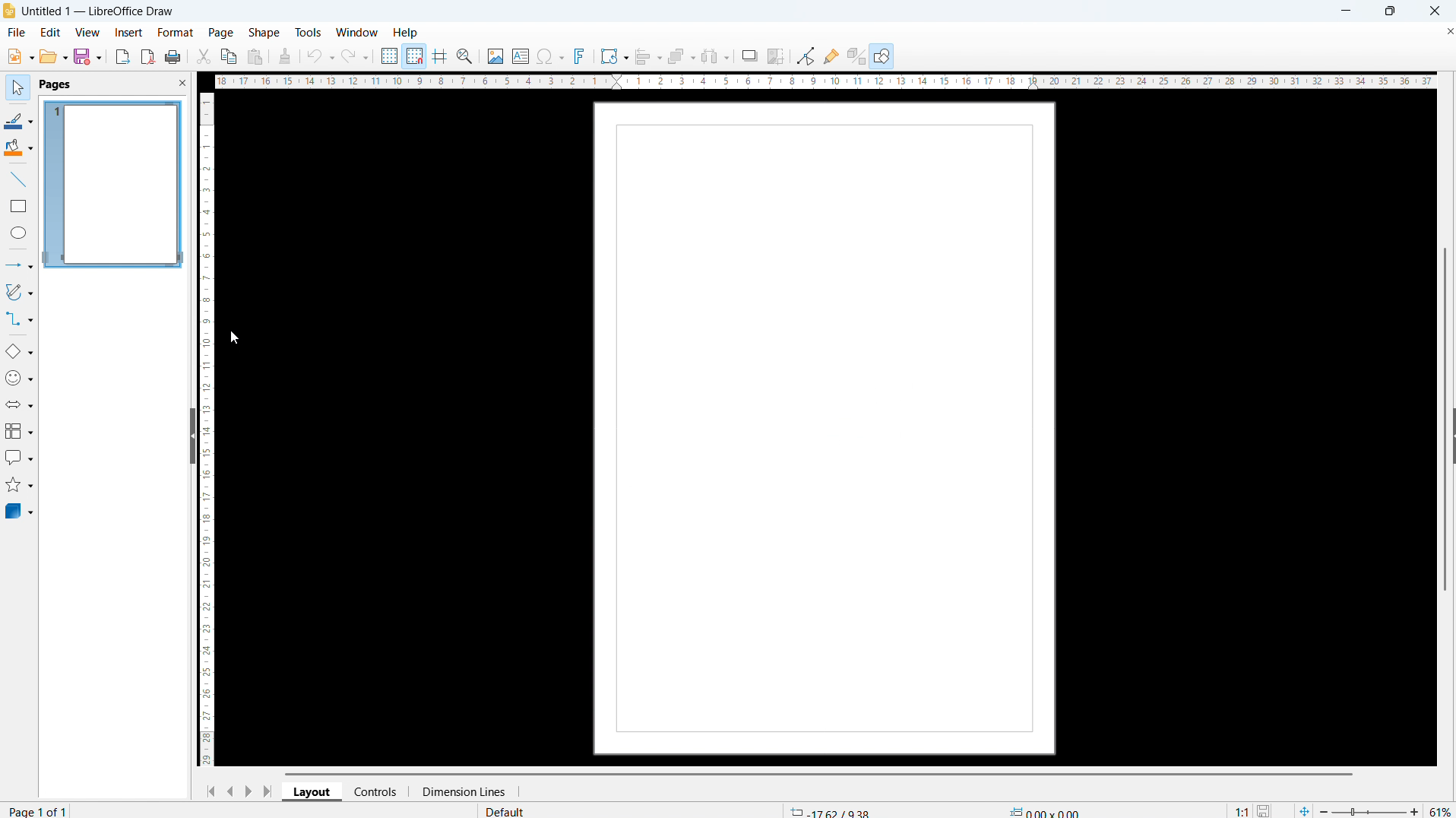  What do you see at coordinates (20, 459) in the screenshot?
I see `callout shapes` at bounding box center [20, 459].